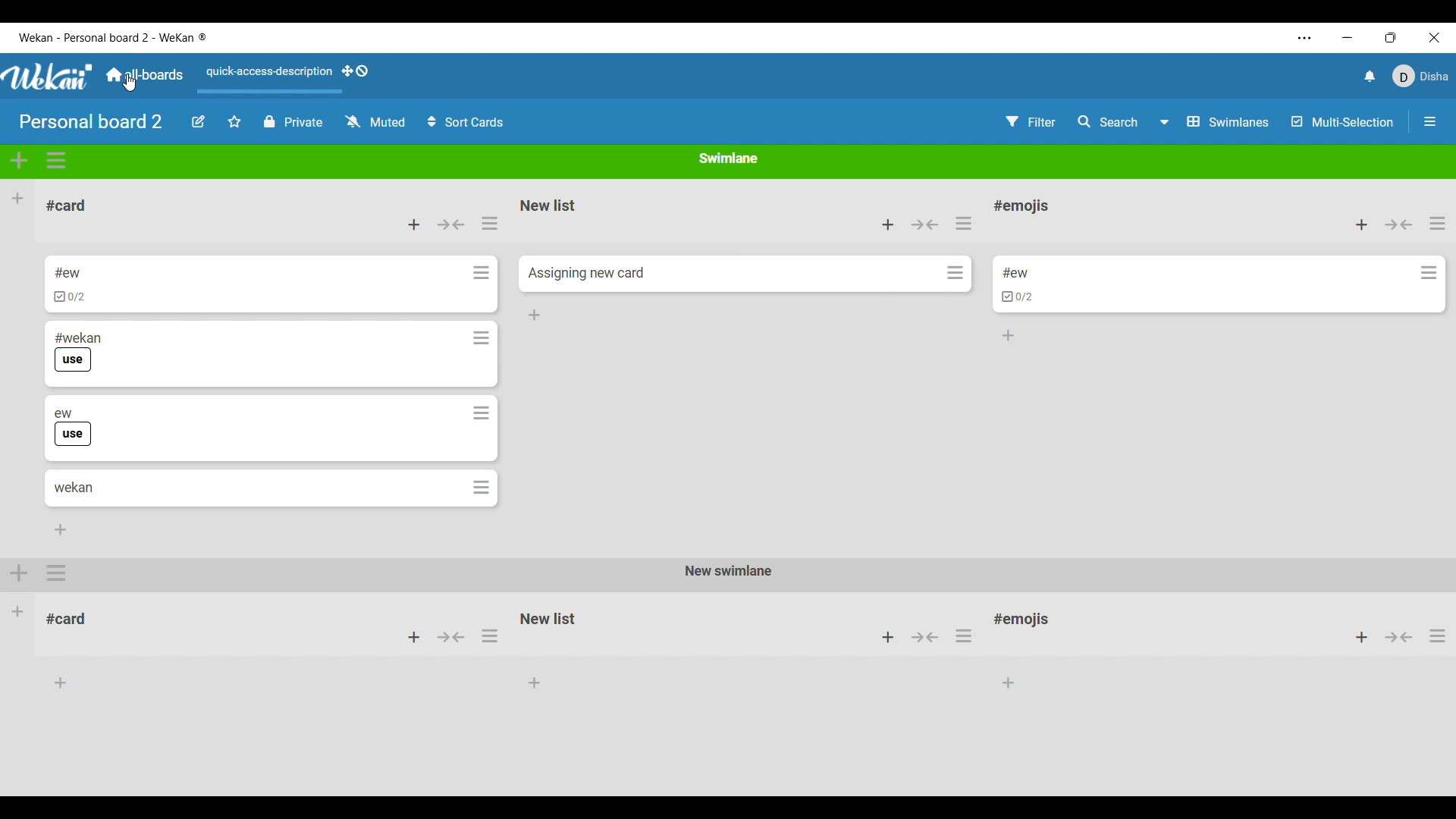 Image resolution: width=1456 pixels, height=819 pixels. What do you see at coordinates (70, 297) in the screenshot?
I see `Indicates card has checklist` at bounding box center [70, 297].